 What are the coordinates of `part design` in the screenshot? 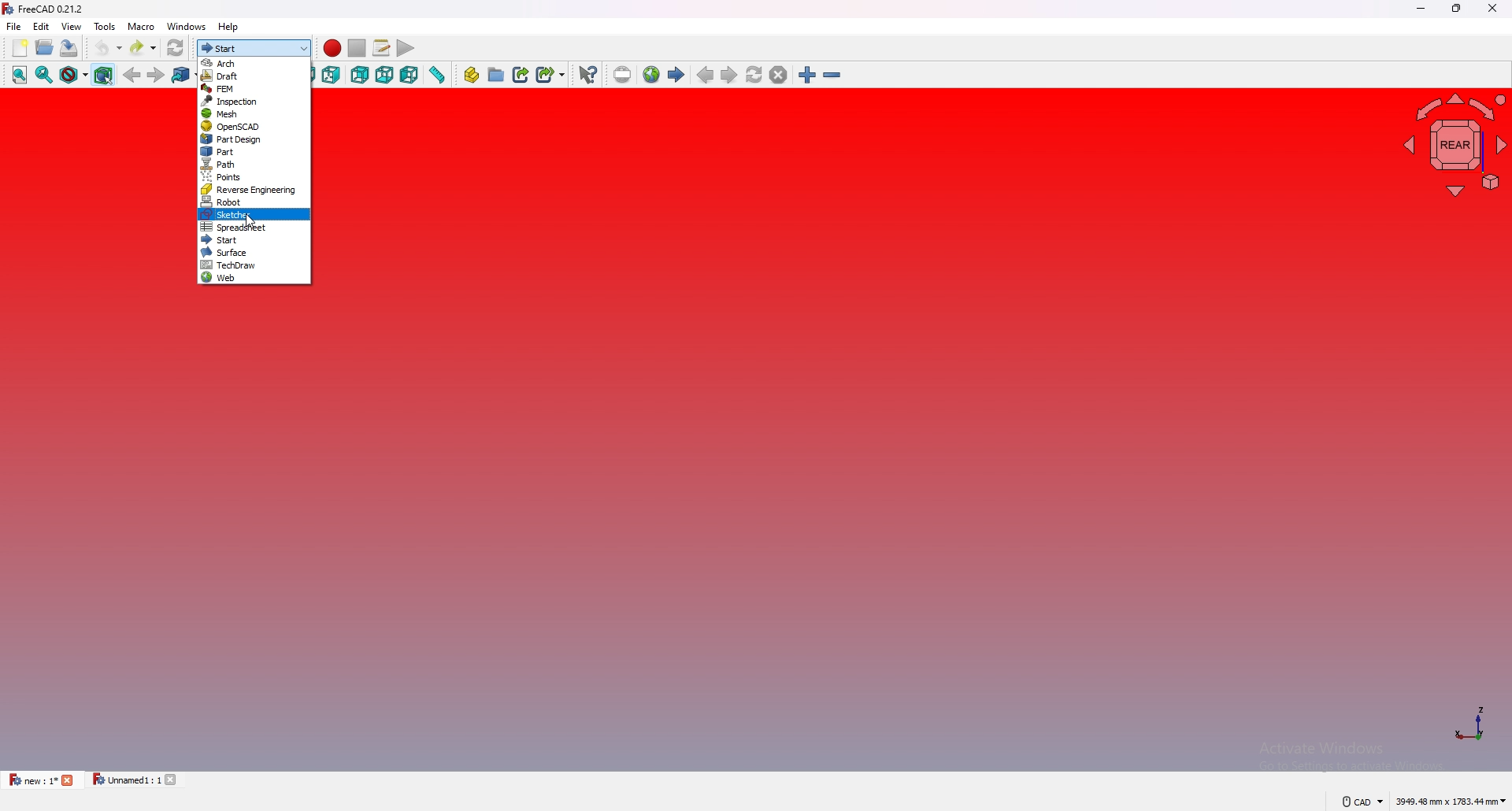 It's located at (254, 139).